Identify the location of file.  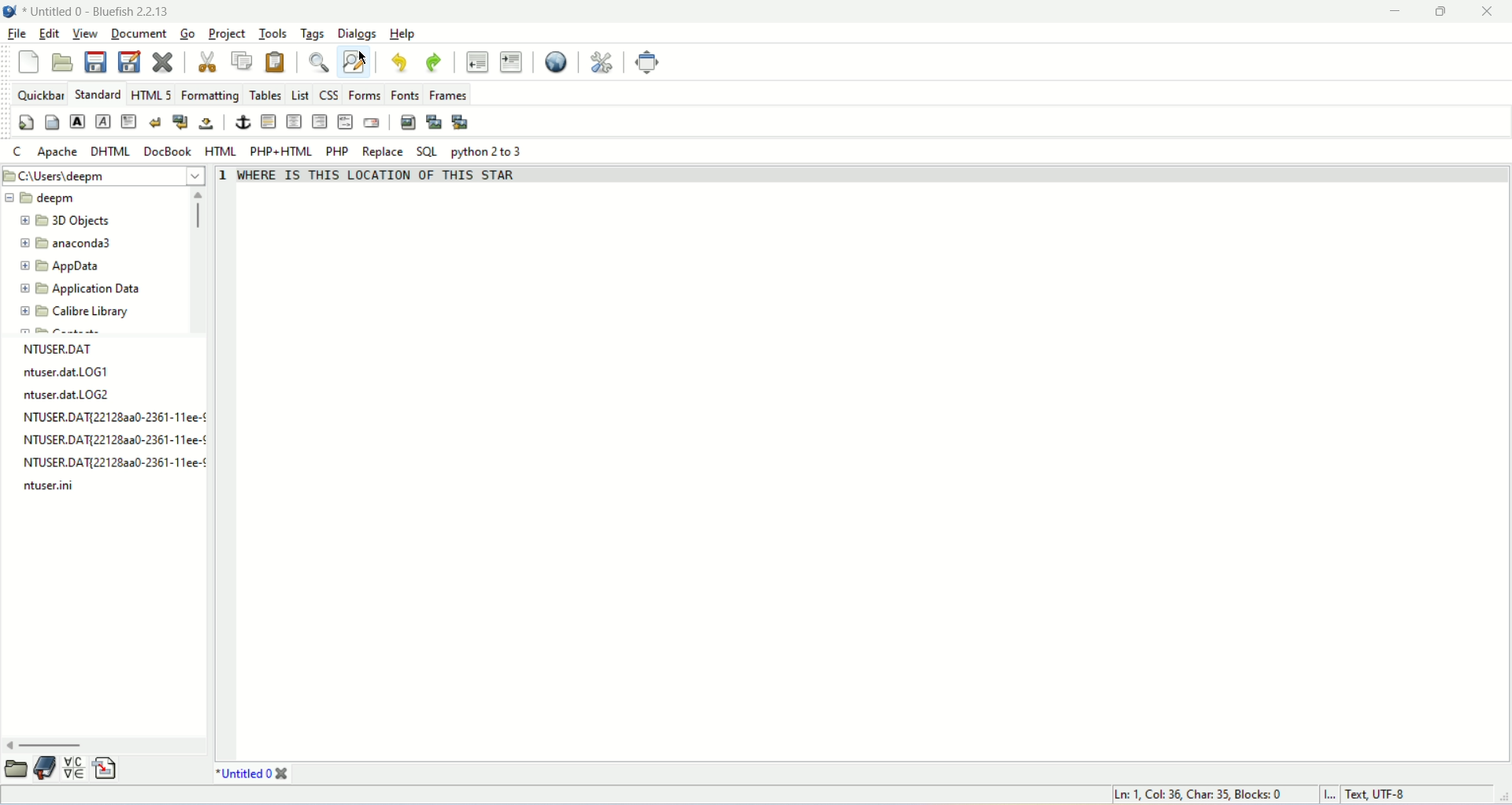
(15, 33).